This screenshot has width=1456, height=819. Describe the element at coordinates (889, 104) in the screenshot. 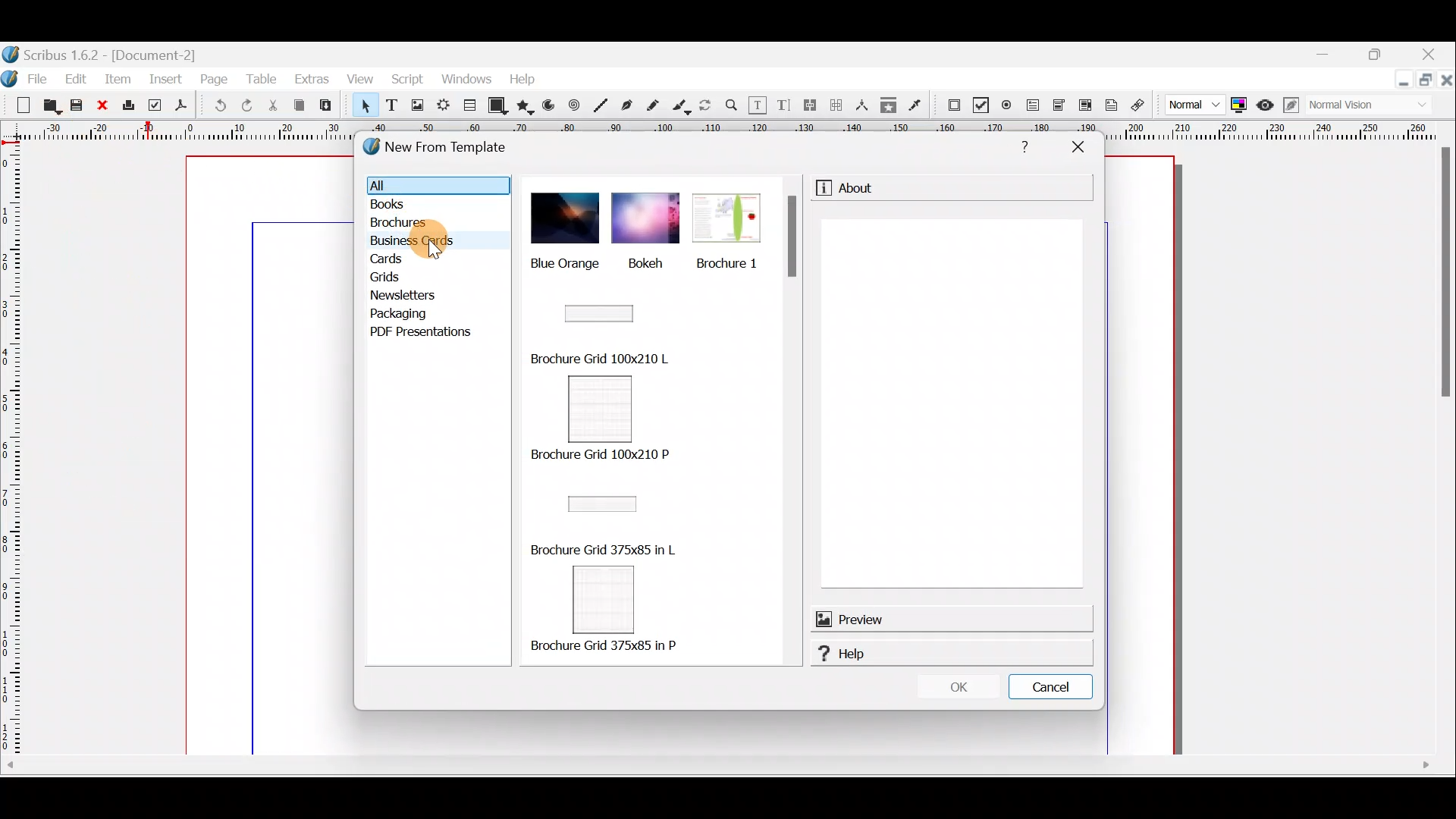

I see `Copy item properties` at that location.